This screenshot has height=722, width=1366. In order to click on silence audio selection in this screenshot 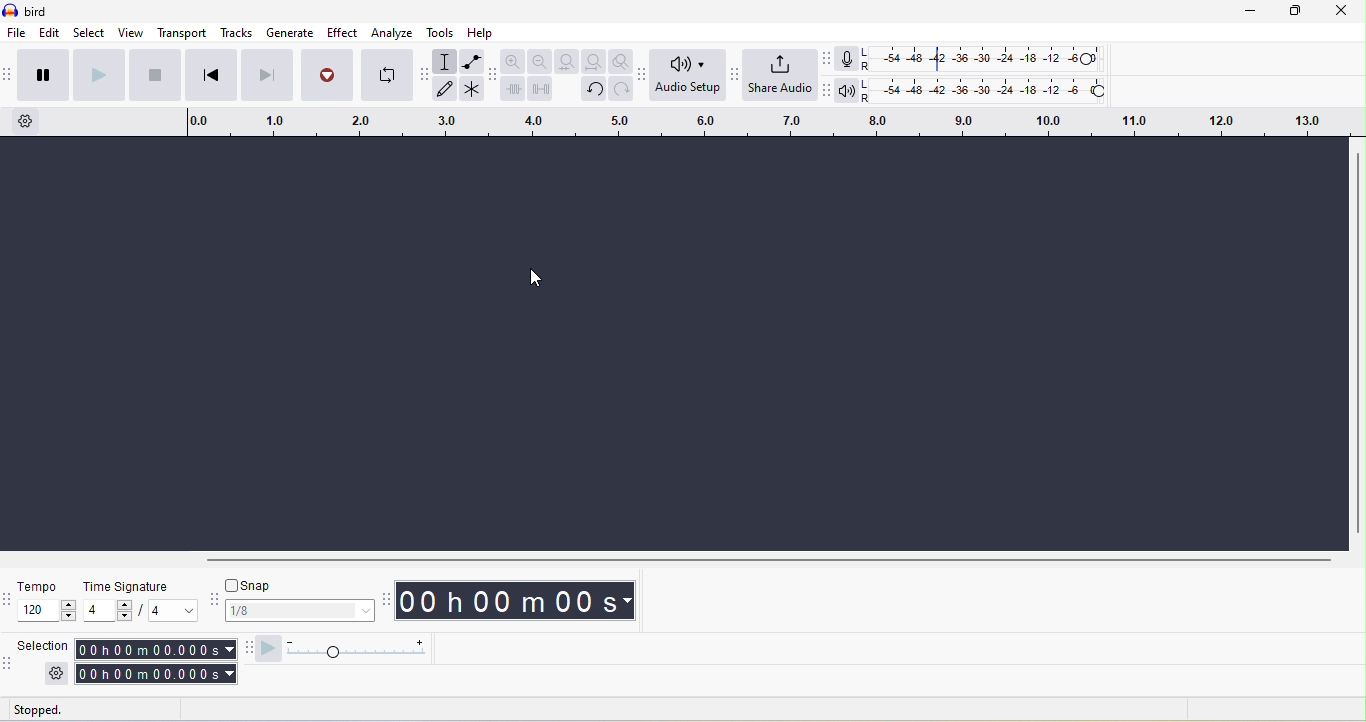, I will do `click(539, 88)`.